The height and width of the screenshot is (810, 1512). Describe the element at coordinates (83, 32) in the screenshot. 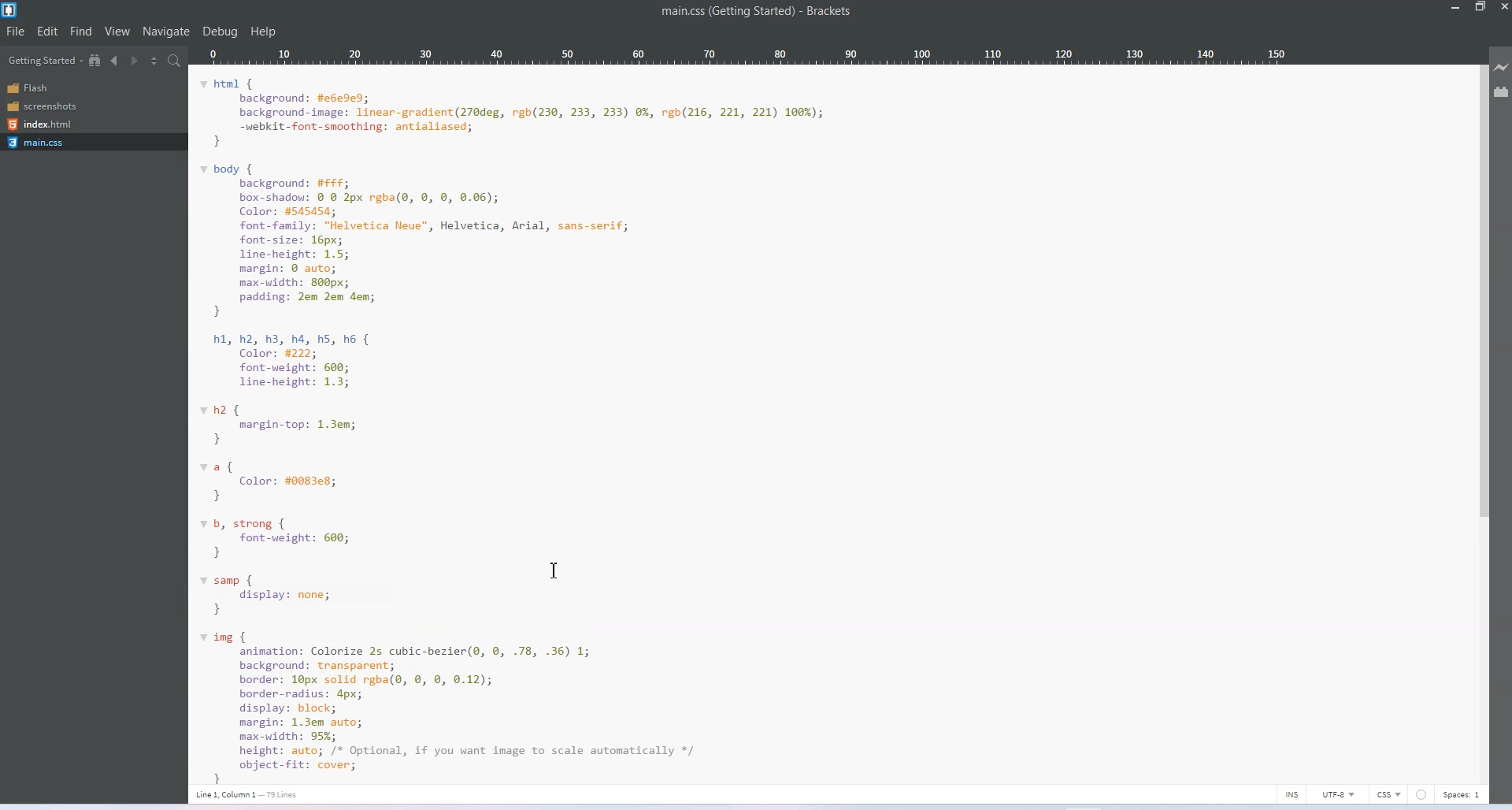

I see `Find` at that location.